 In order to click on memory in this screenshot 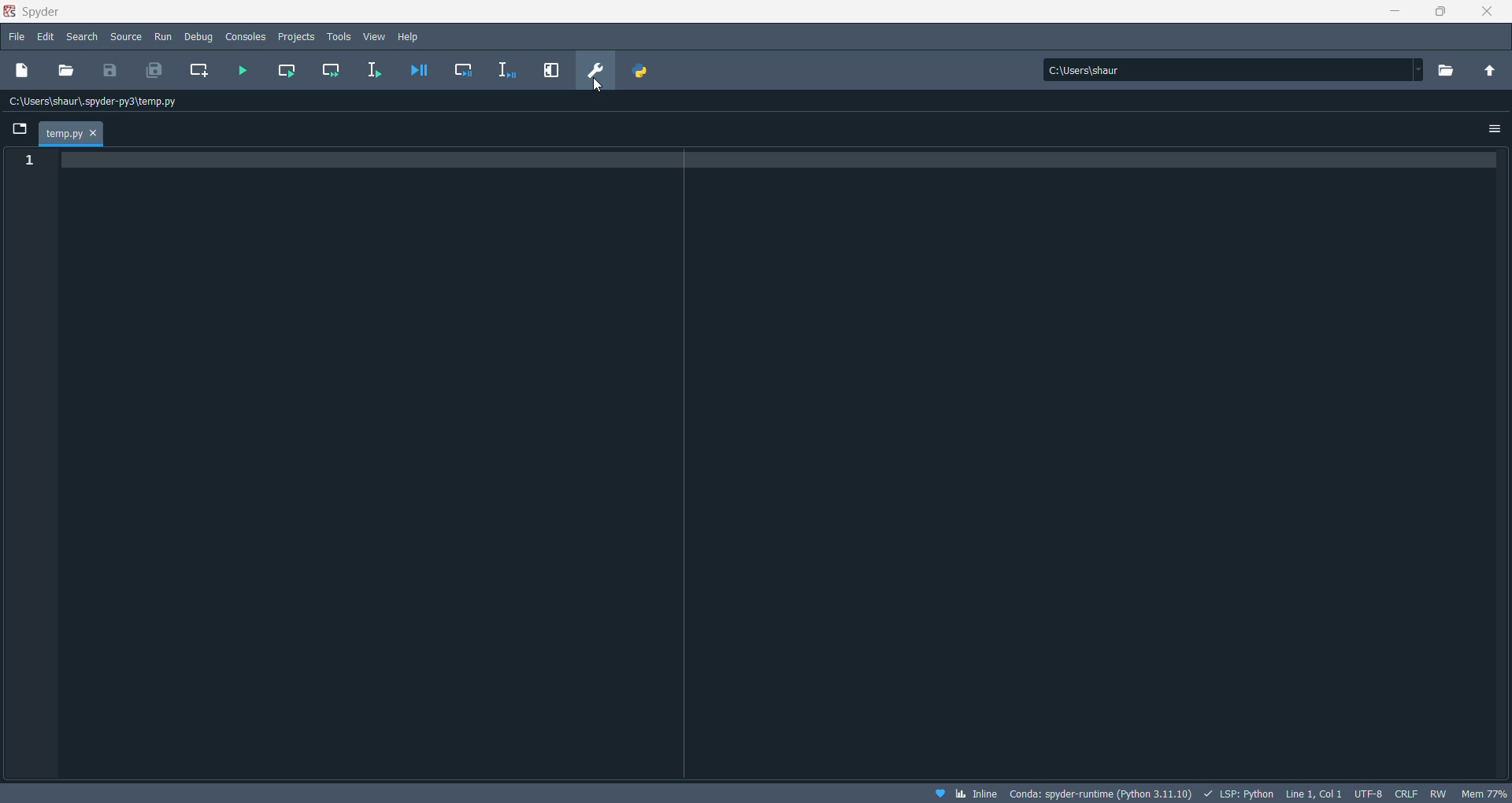, I will do `click(1483, 792)`.